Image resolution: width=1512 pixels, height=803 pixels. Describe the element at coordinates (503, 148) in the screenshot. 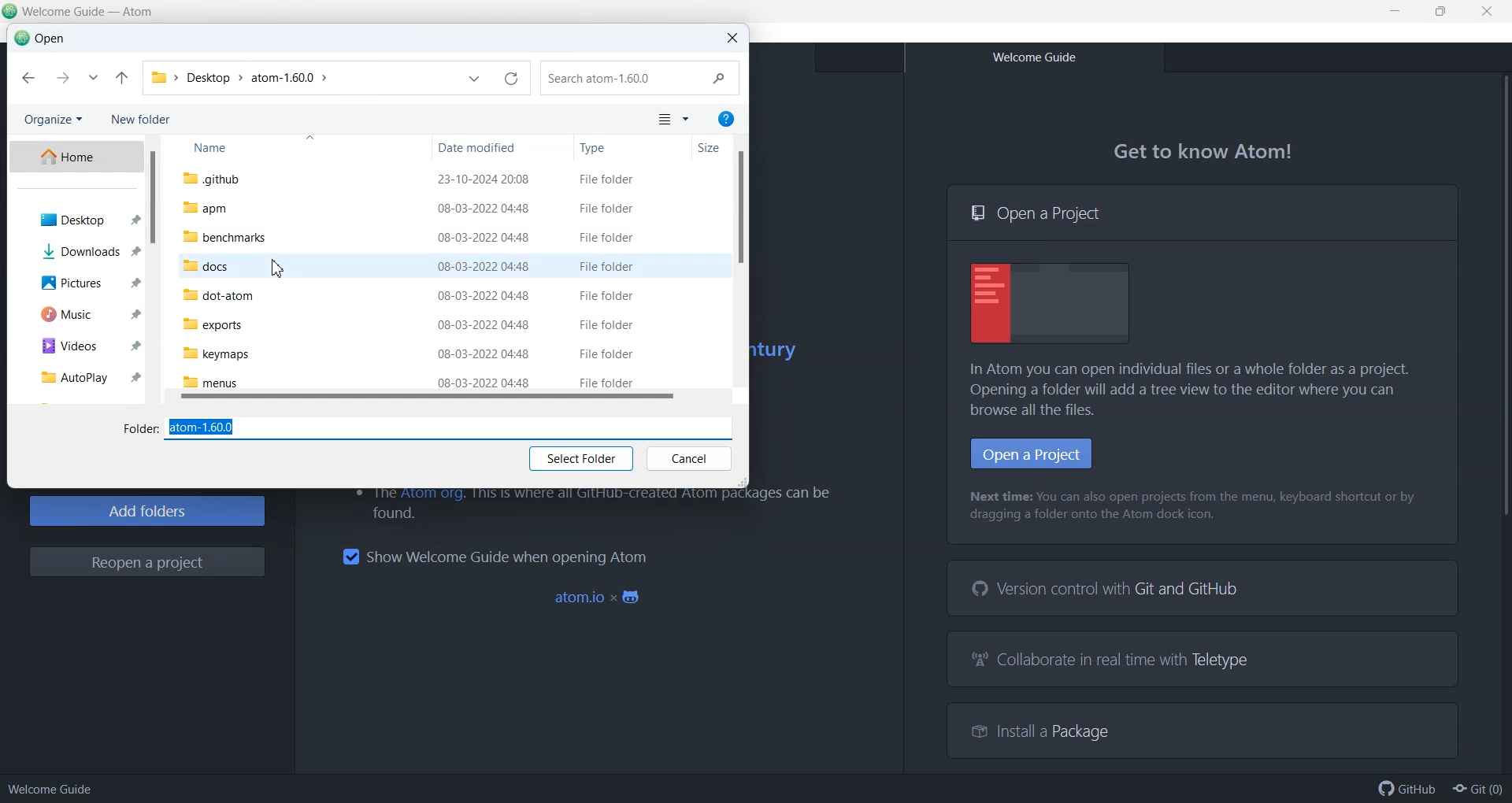

I see `Date modified` at that location.